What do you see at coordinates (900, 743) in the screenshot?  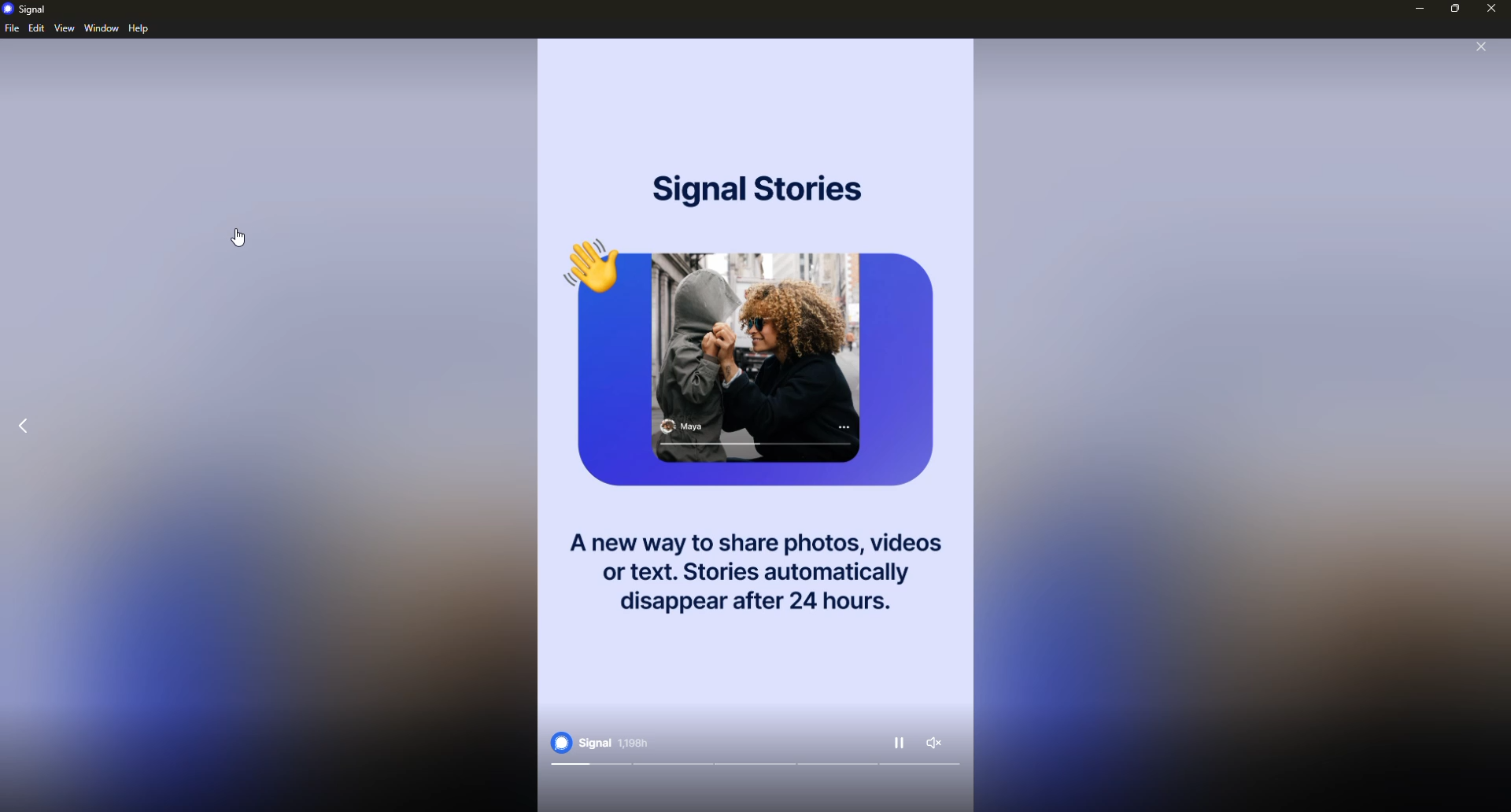 I see `pause` at bounding box center [900, 743].